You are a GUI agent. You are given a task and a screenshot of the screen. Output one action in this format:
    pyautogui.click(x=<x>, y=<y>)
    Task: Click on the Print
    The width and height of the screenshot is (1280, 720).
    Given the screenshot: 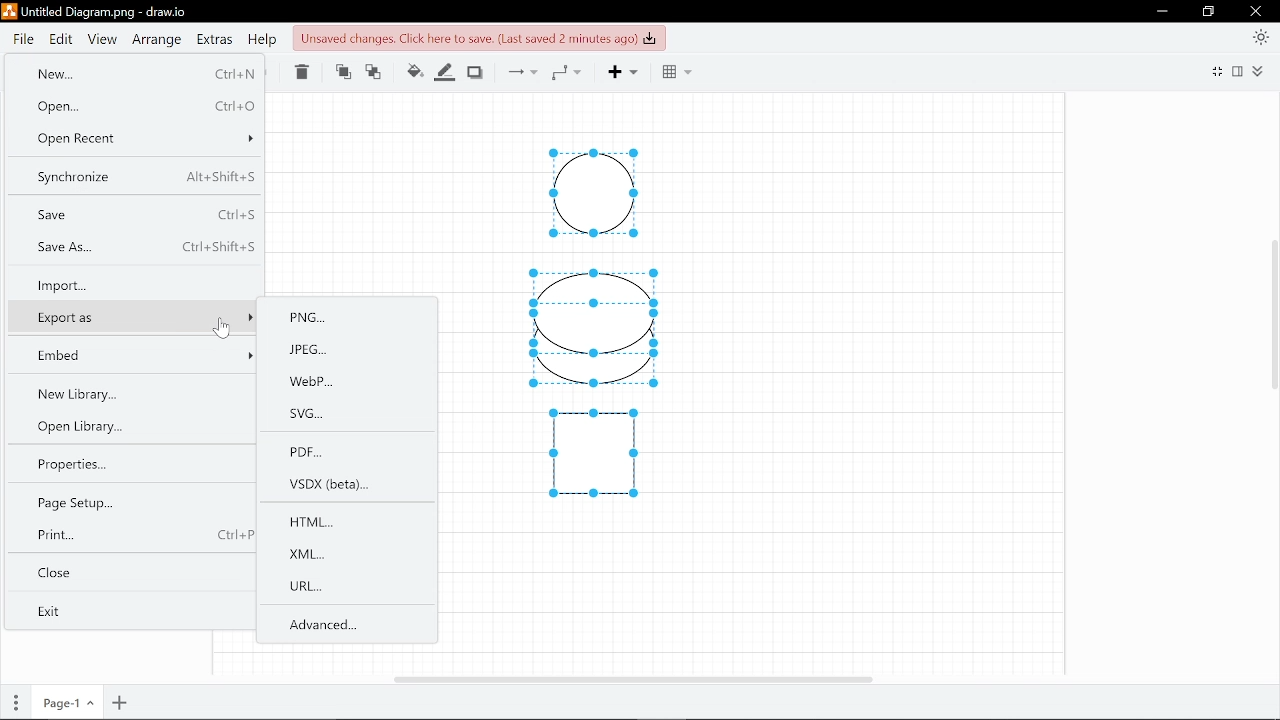 What is the action you would take?
    pyautogui.click(x=134, y=534)
    